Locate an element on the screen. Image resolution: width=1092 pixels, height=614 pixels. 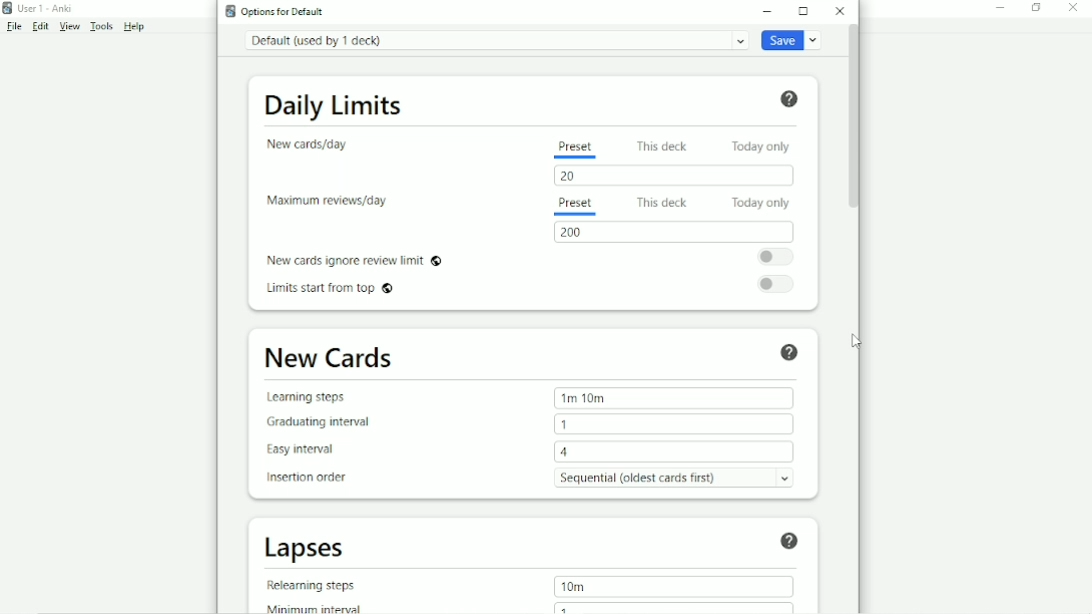
Cursor is located at coordinates (857, 342).